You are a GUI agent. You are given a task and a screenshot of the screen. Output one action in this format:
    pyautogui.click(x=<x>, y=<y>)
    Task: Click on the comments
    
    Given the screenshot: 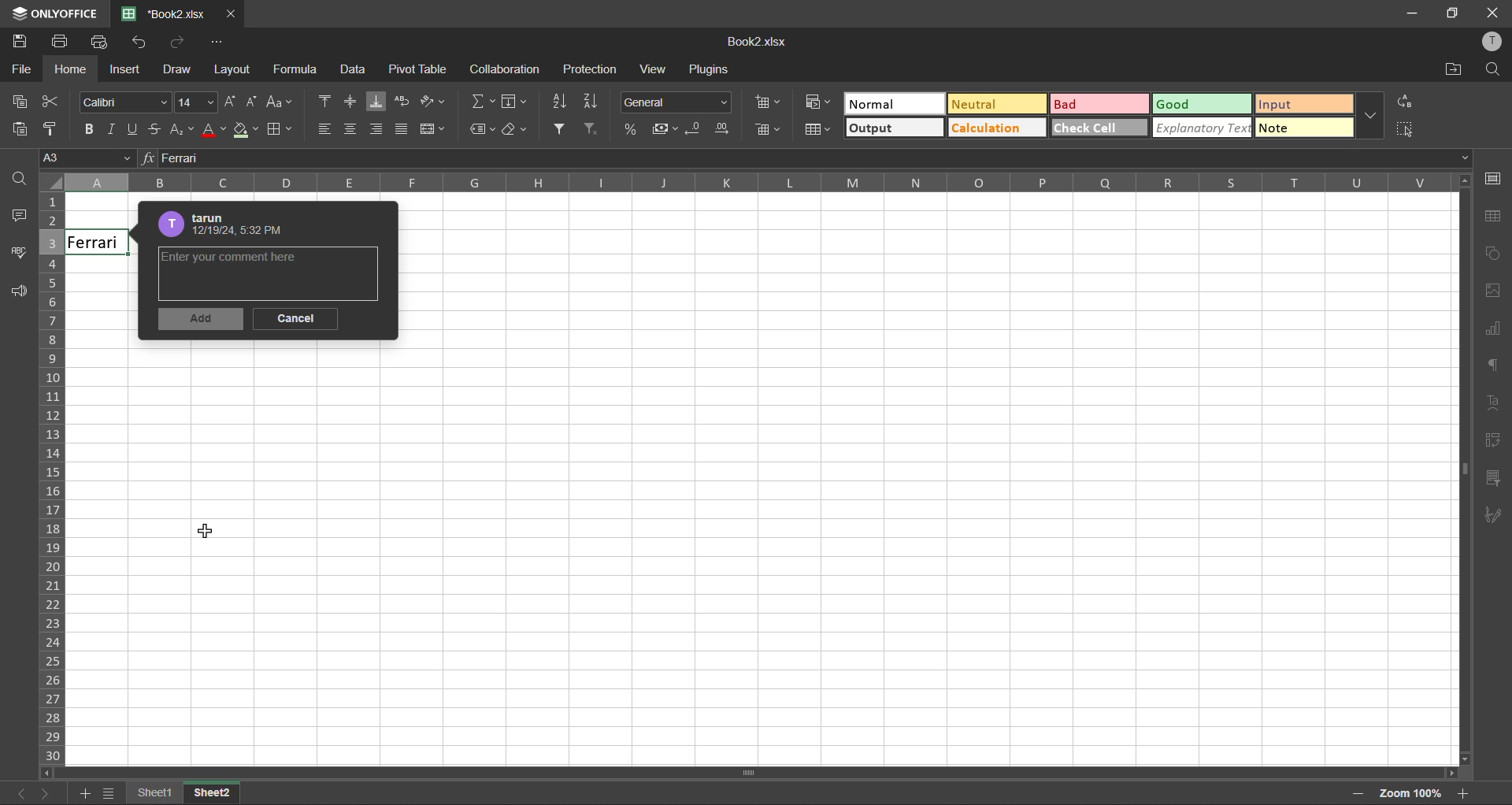 What is the action you would take?
    pyautogui.click(x=22, y=217)
    